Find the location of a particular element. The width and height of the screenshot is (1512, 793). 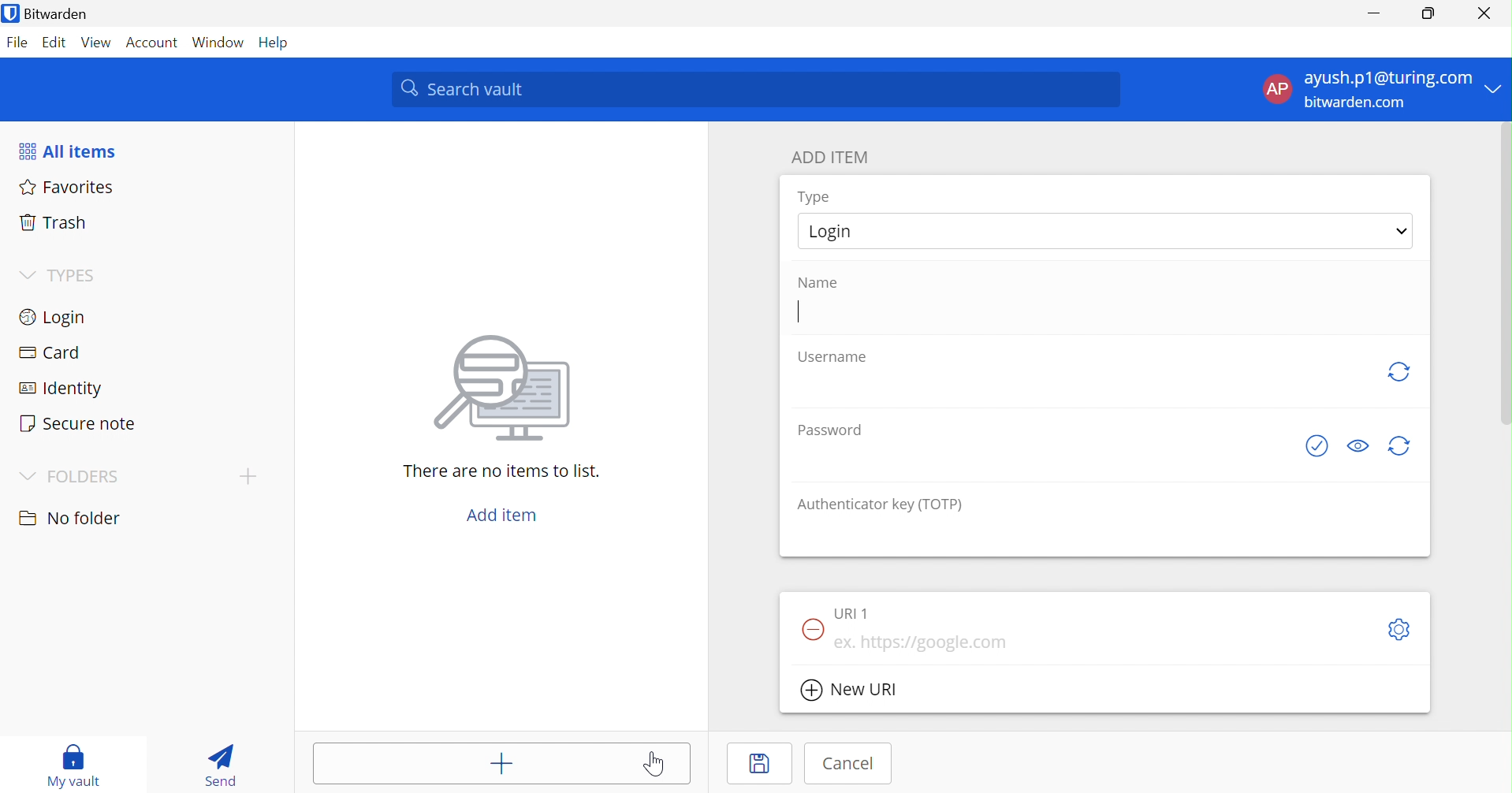

Secure note is located at coordinates (80, 422).